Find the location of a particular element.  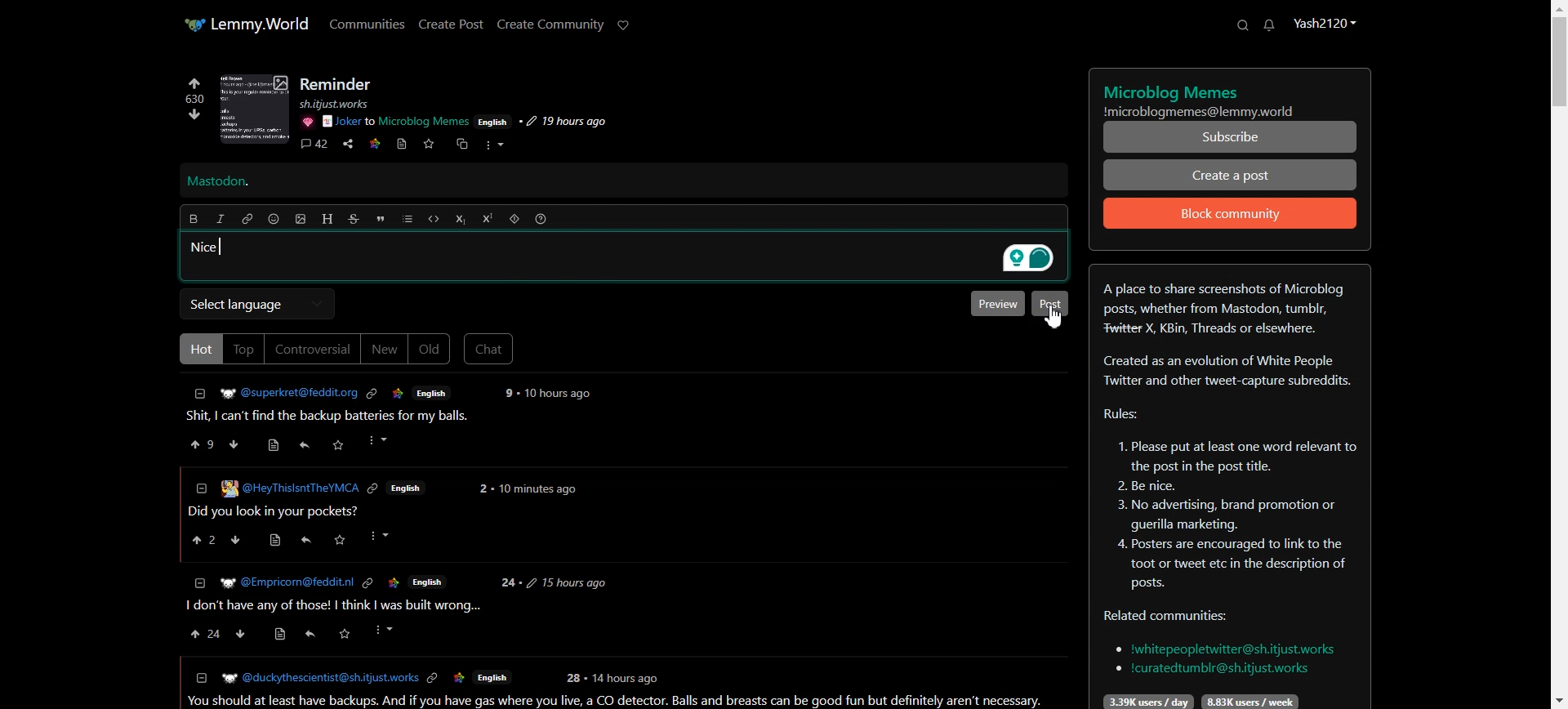

Select language is located at coordinates (256, 304).